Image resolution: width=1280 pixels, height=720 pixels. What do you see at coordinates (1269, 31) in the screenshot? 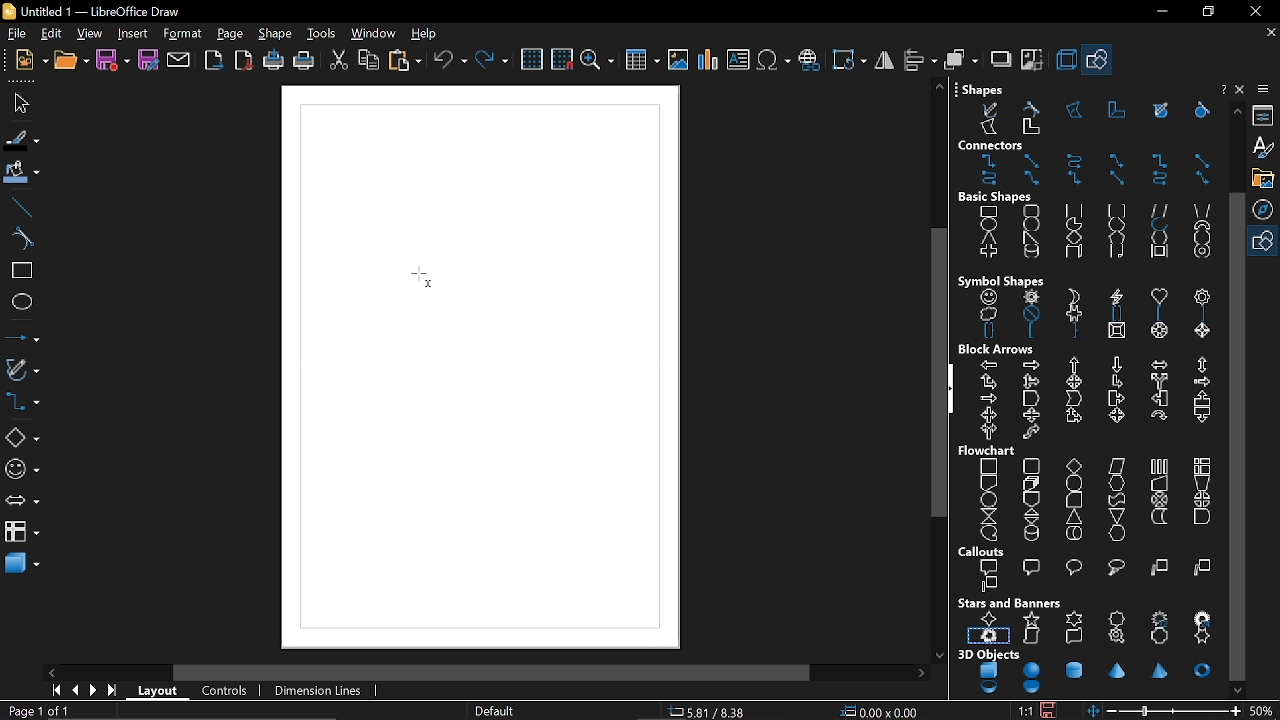
I see `Close tab` at bounding box center [1269, 31].